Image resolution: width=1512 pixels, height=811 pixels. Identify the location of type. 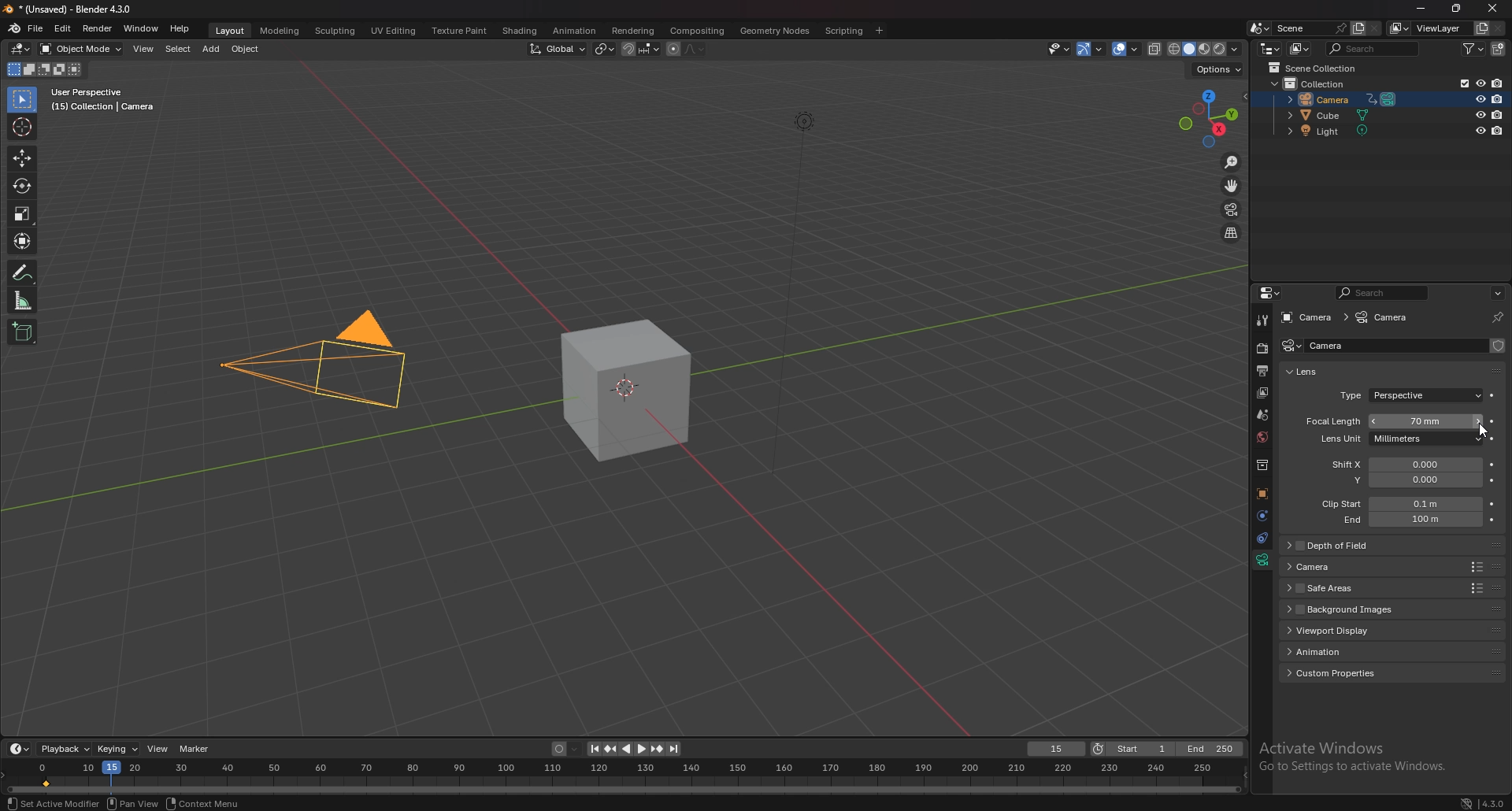
(1410, 397).